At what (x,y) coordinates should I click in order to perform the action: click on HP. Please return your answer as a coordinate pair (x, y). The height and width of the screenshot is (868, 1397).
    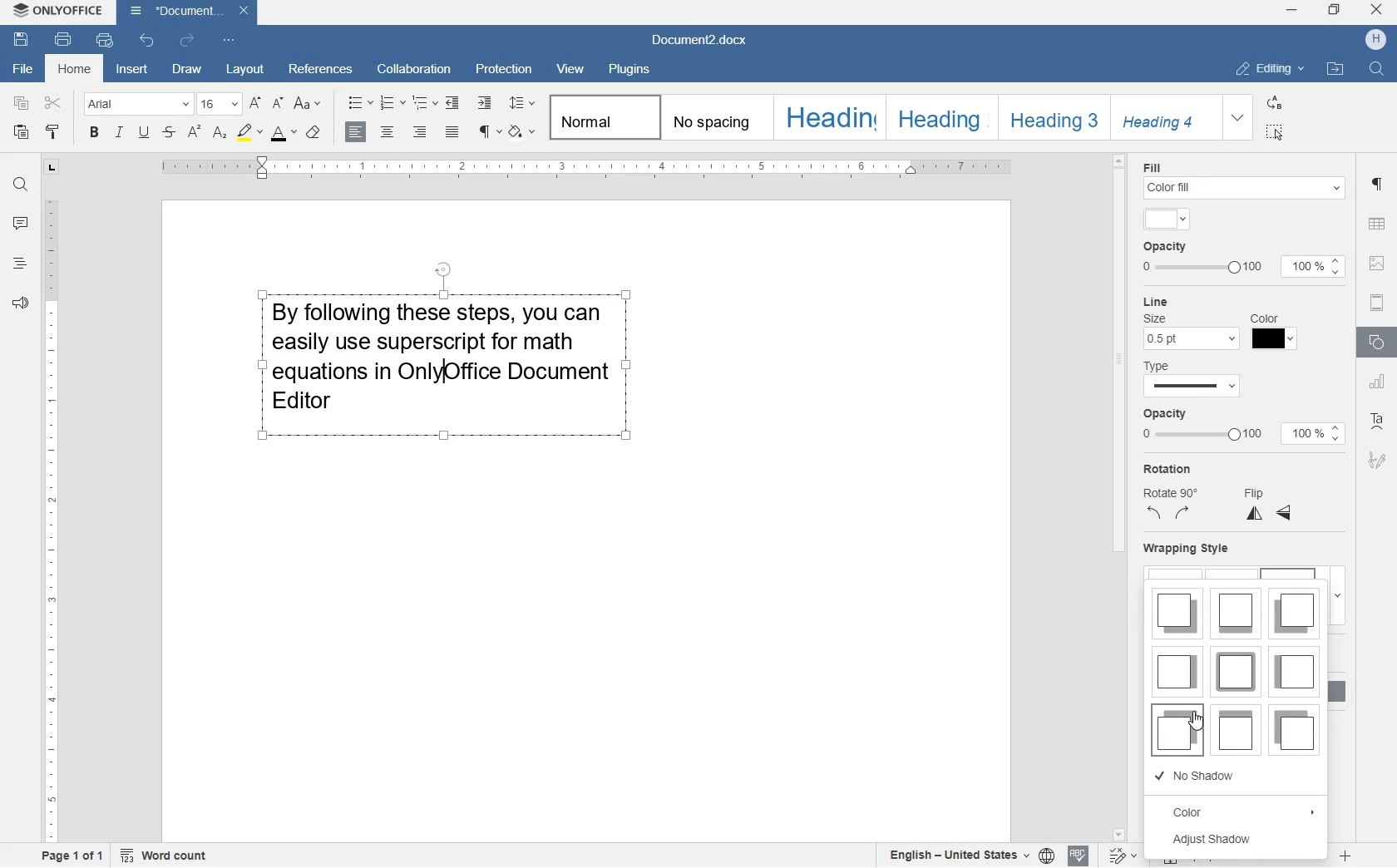
    Looking at the image, I should click on (1375, 38).